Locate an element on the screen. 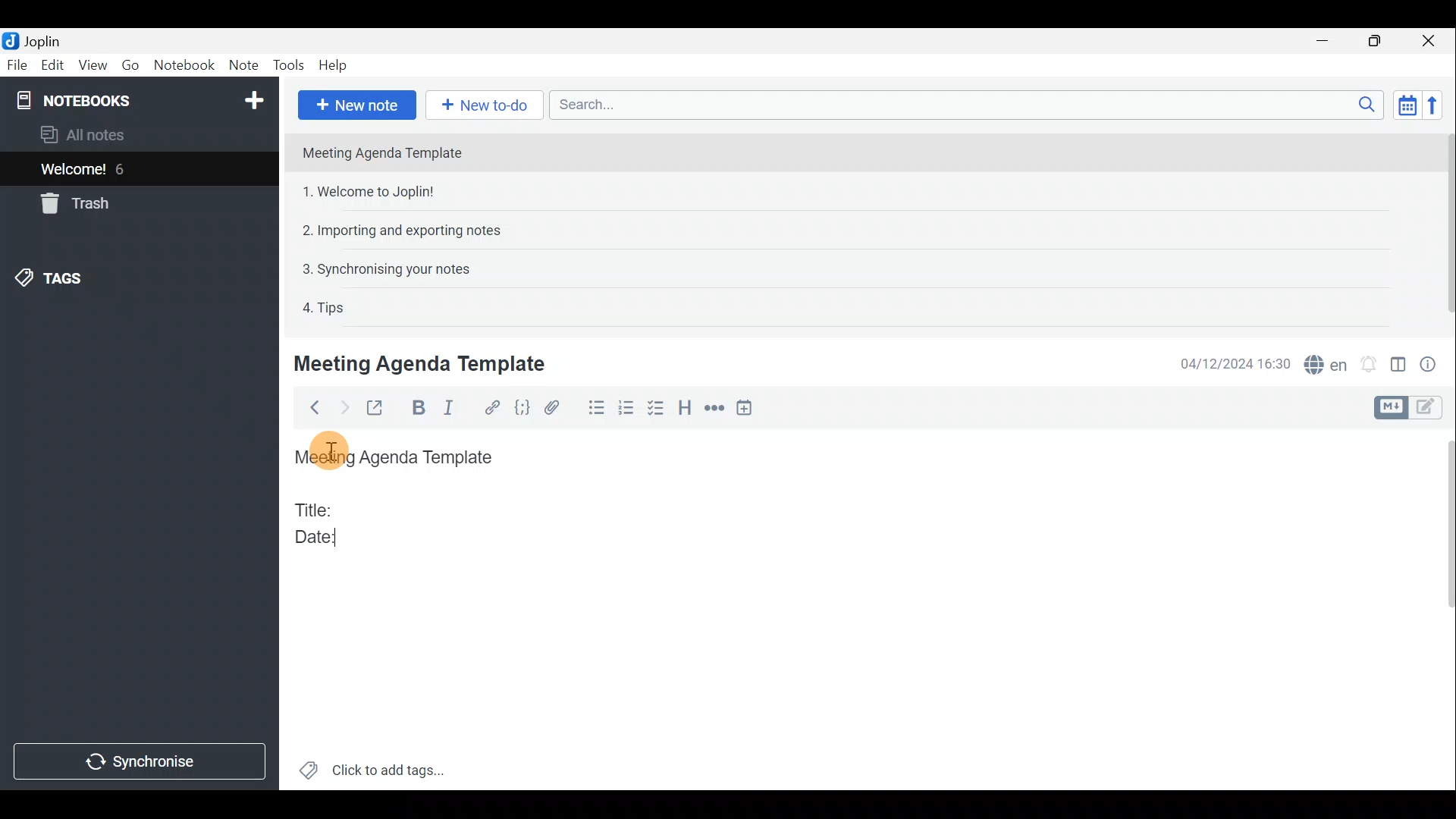   is located at coordinates (331, 450).